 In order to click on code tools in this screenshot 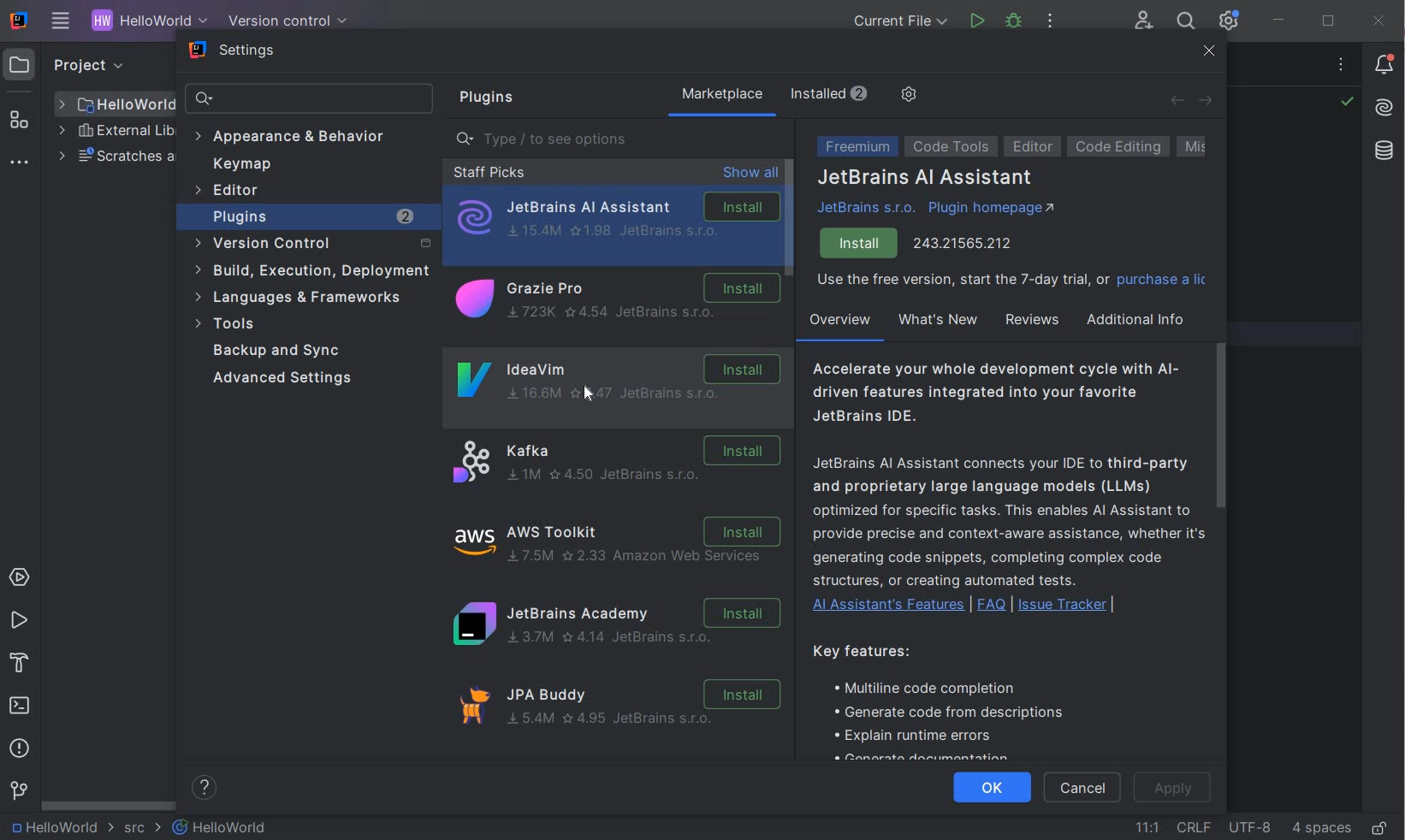, I will do `click(951, 149)`.